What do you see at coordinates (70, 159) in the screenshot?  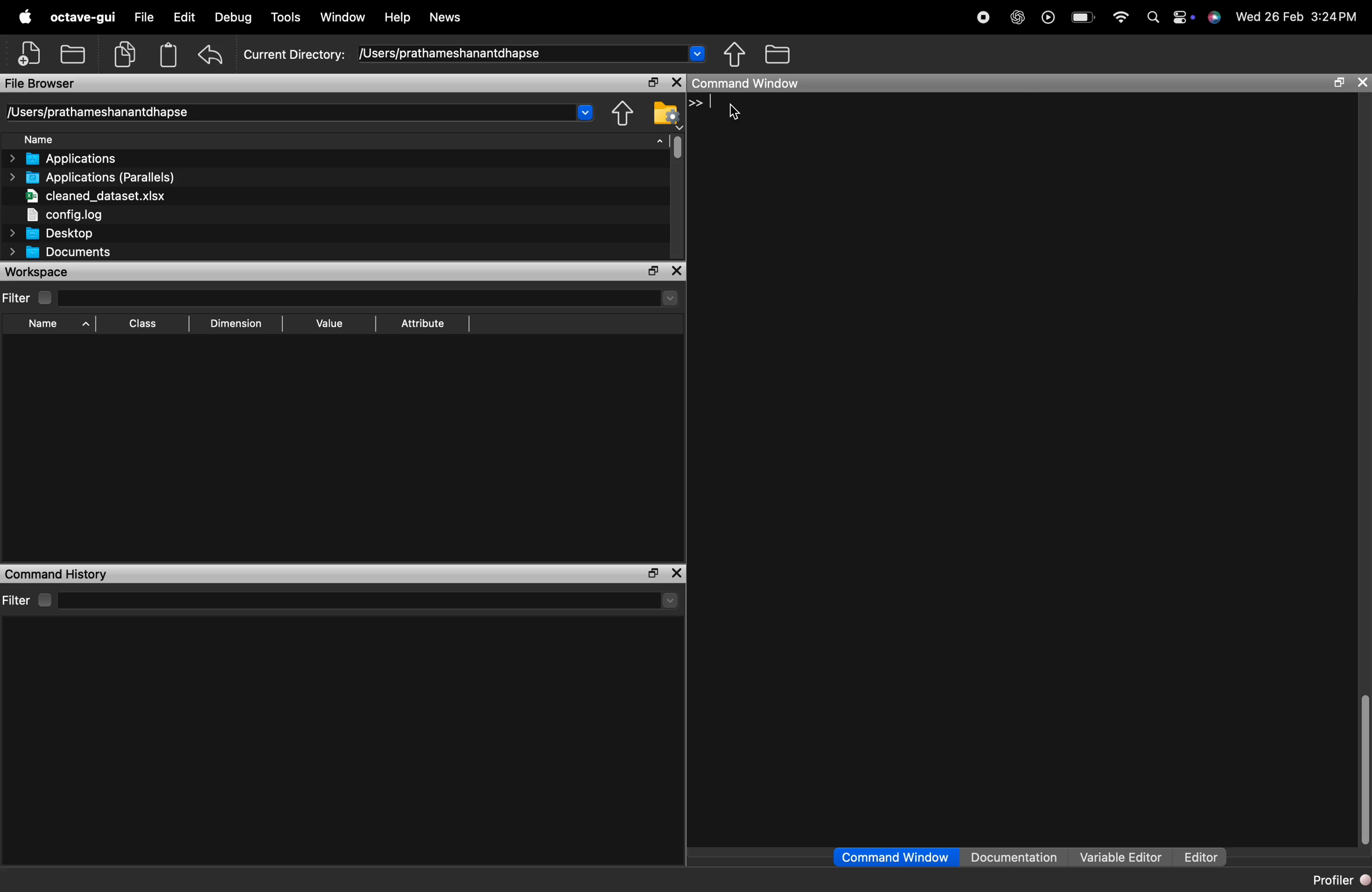 I see `Applications` at bounding box center [70, 159].